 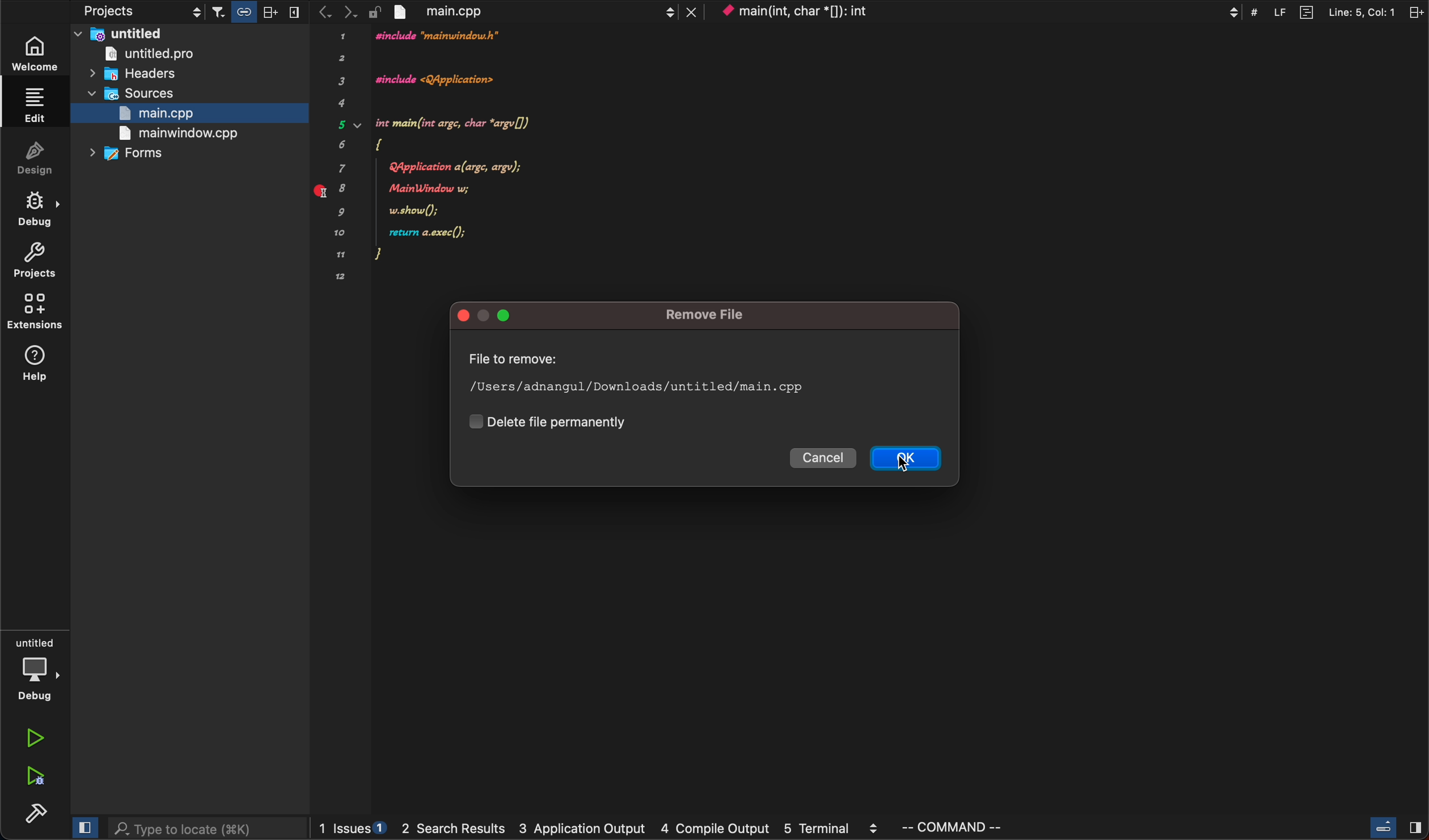 What do you see at coordinates (1348, 11) in the screenshot?
I see `split` at bounding box center [1348, 11].